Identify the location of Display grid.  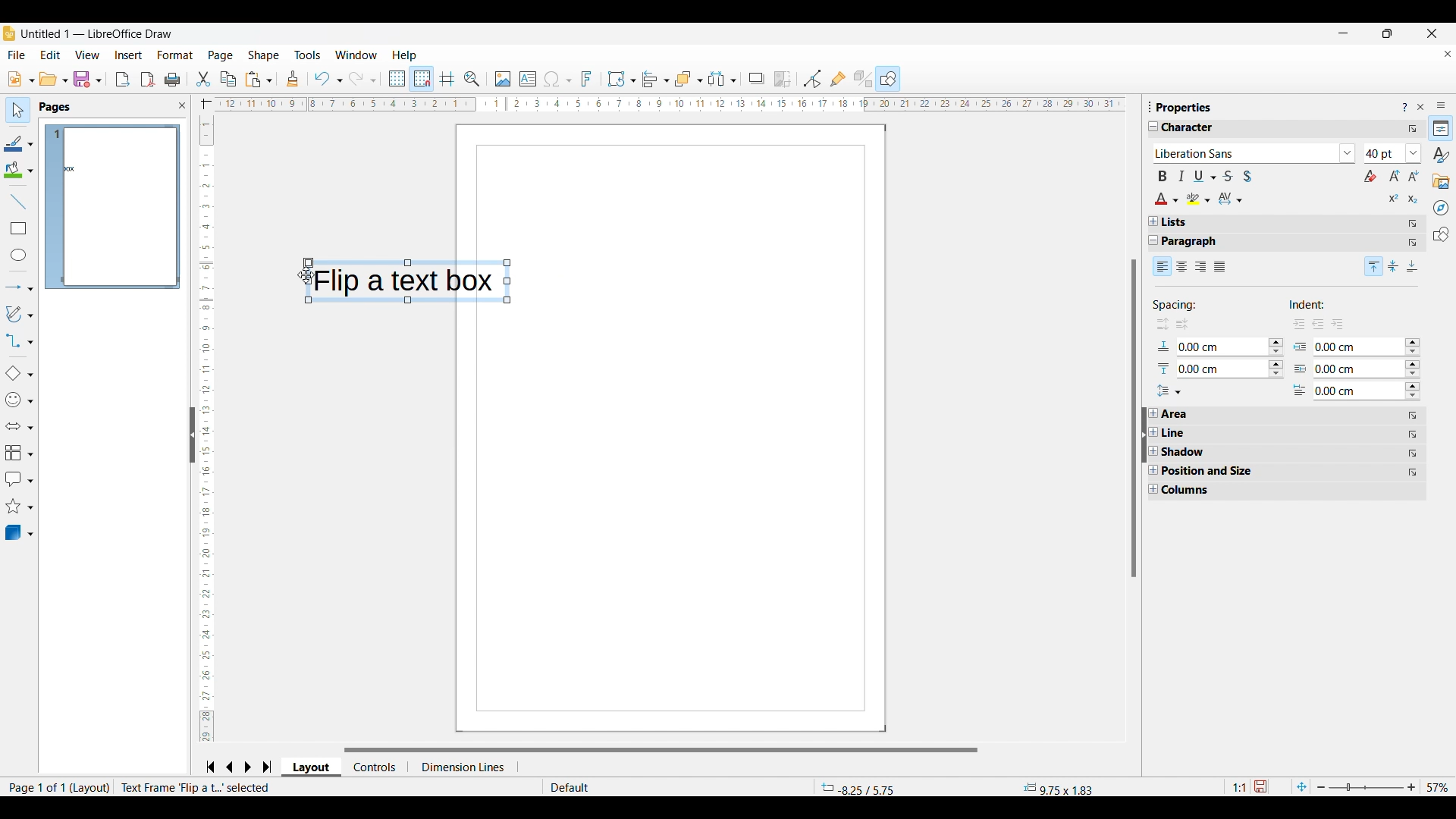
(396, 79).